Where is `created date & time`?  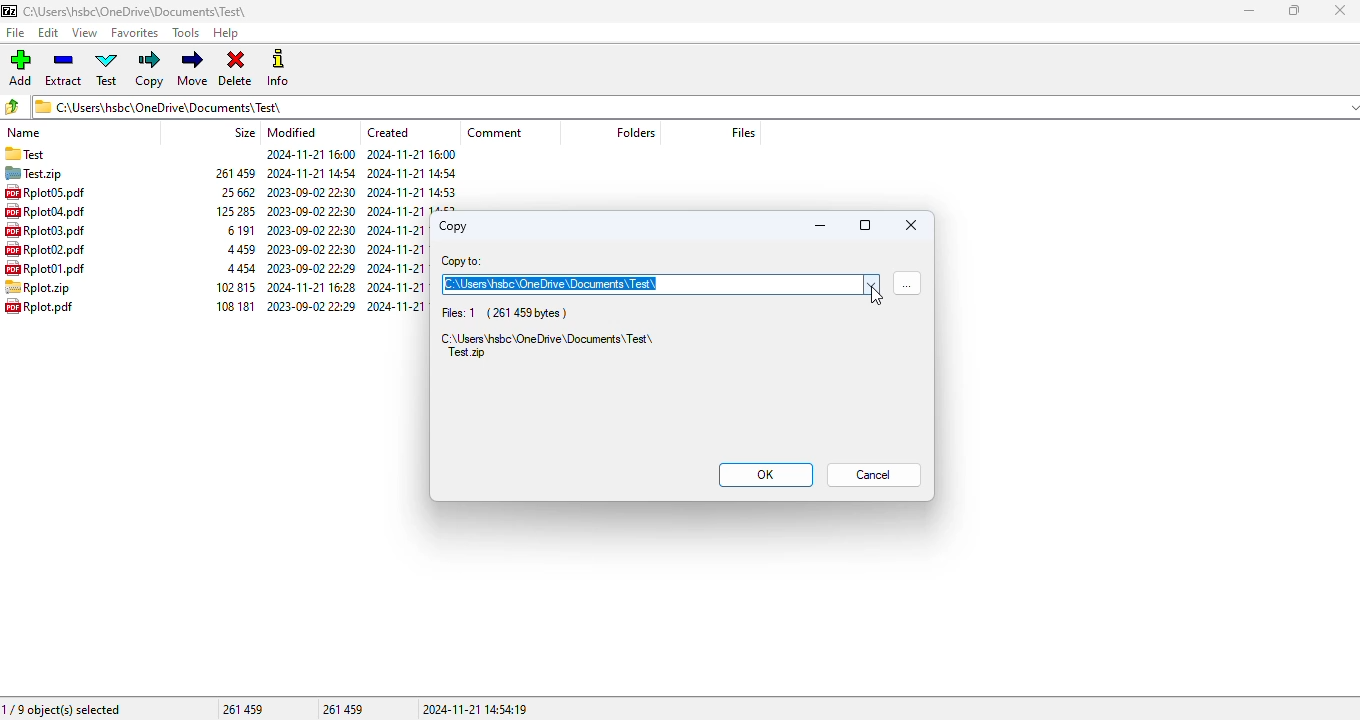 created date & time is located at coordinates (398, 286).